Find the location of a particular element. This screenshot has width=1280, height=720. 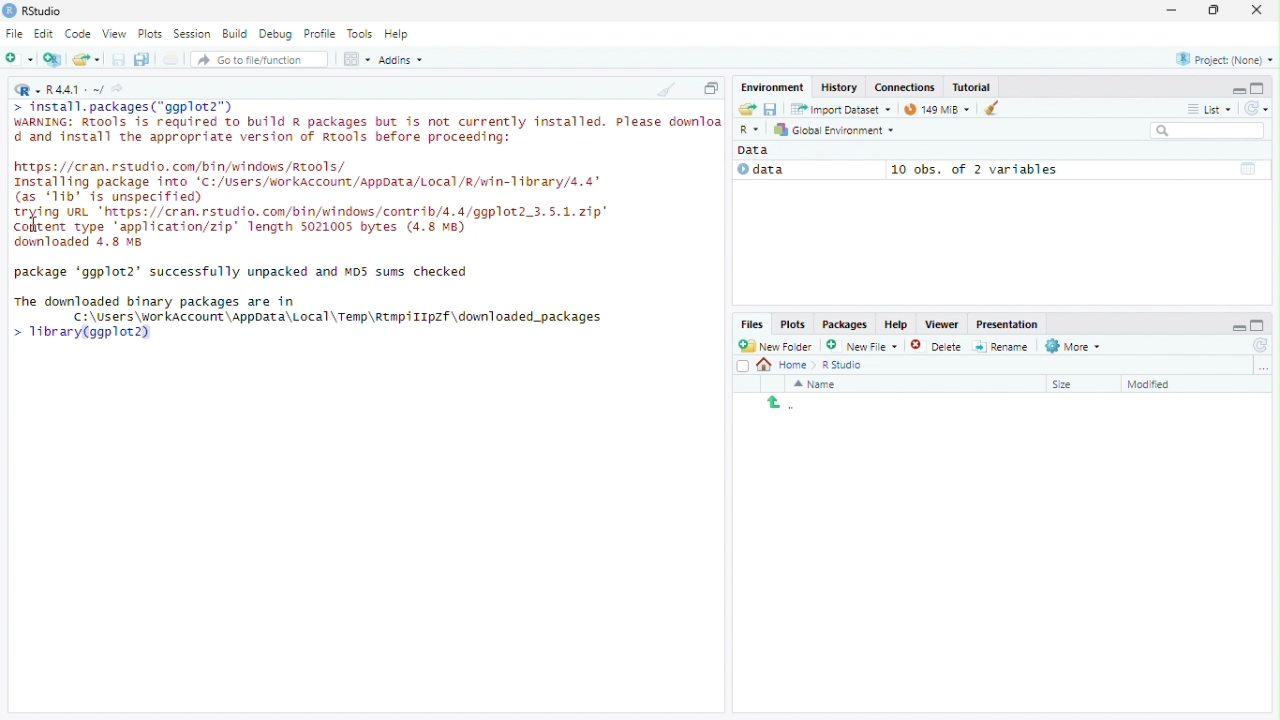

Profile is located at coordinates (323, 34).